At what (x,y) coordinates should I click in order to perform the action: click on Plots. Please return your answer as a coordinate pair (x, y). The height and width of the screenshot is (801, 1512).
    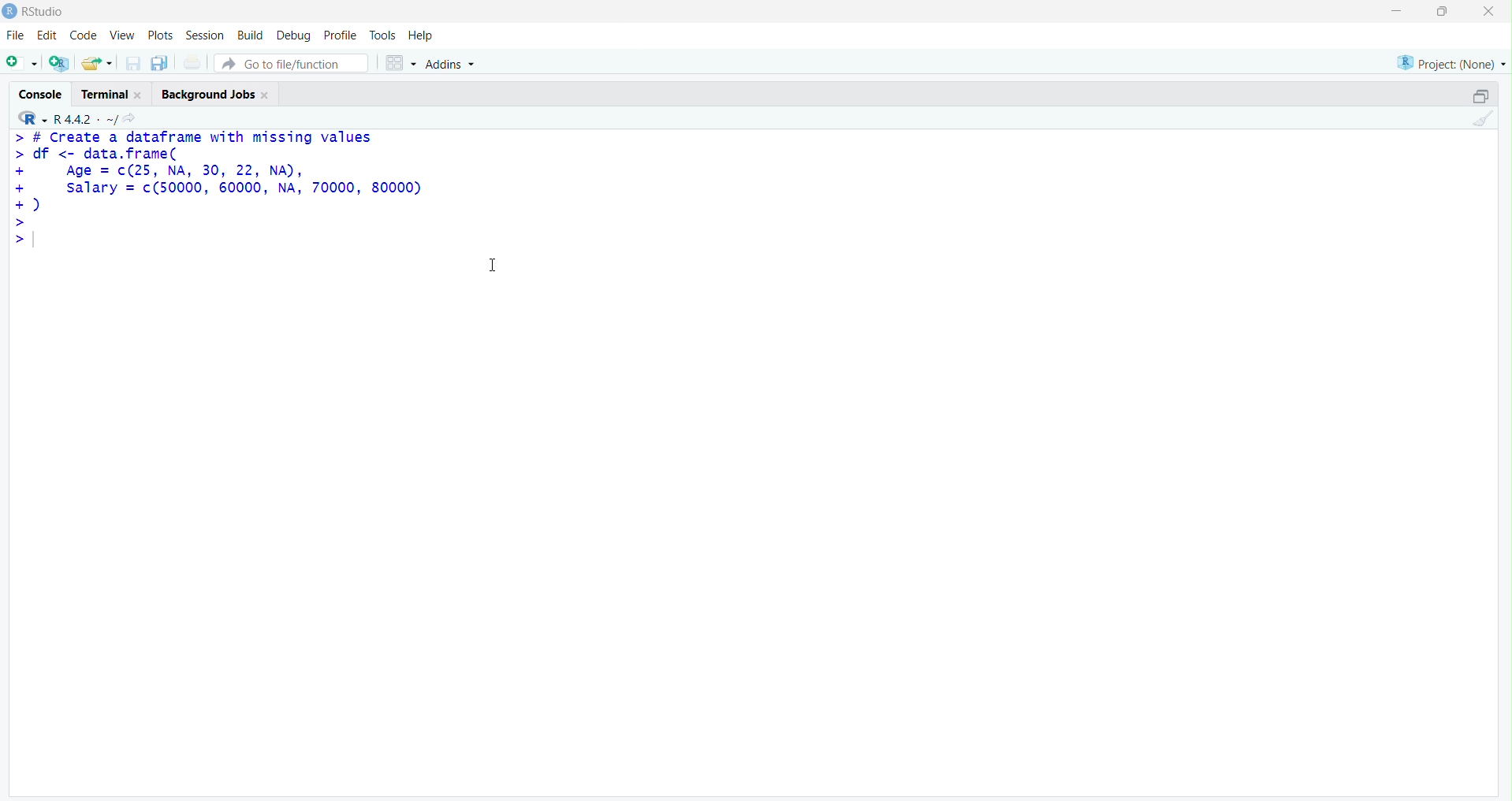
    Looking at the image, I should click on (158, 35).